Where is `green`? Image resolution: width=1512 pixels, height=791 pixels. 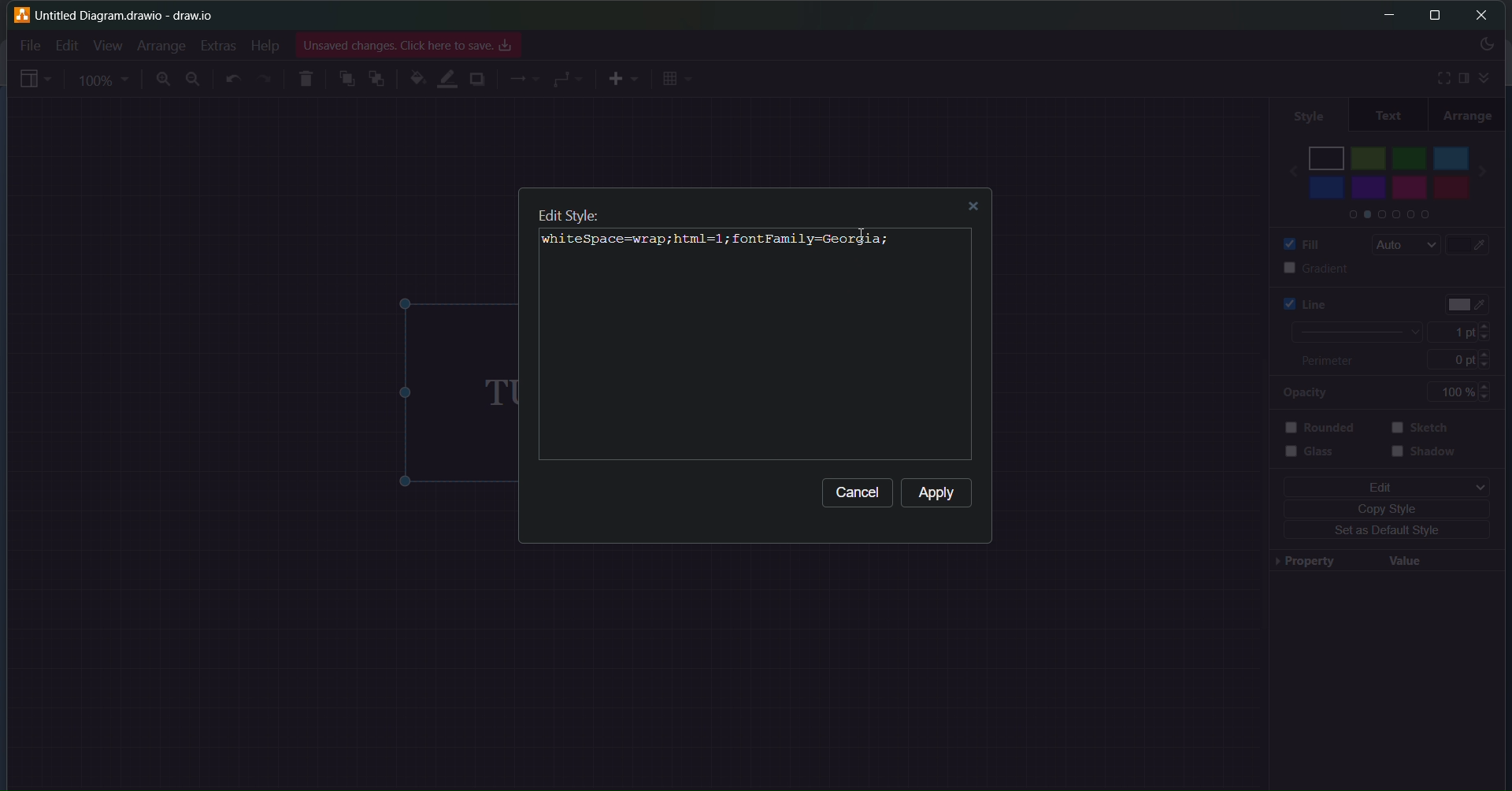 green is located at coordinates (1410, 155).